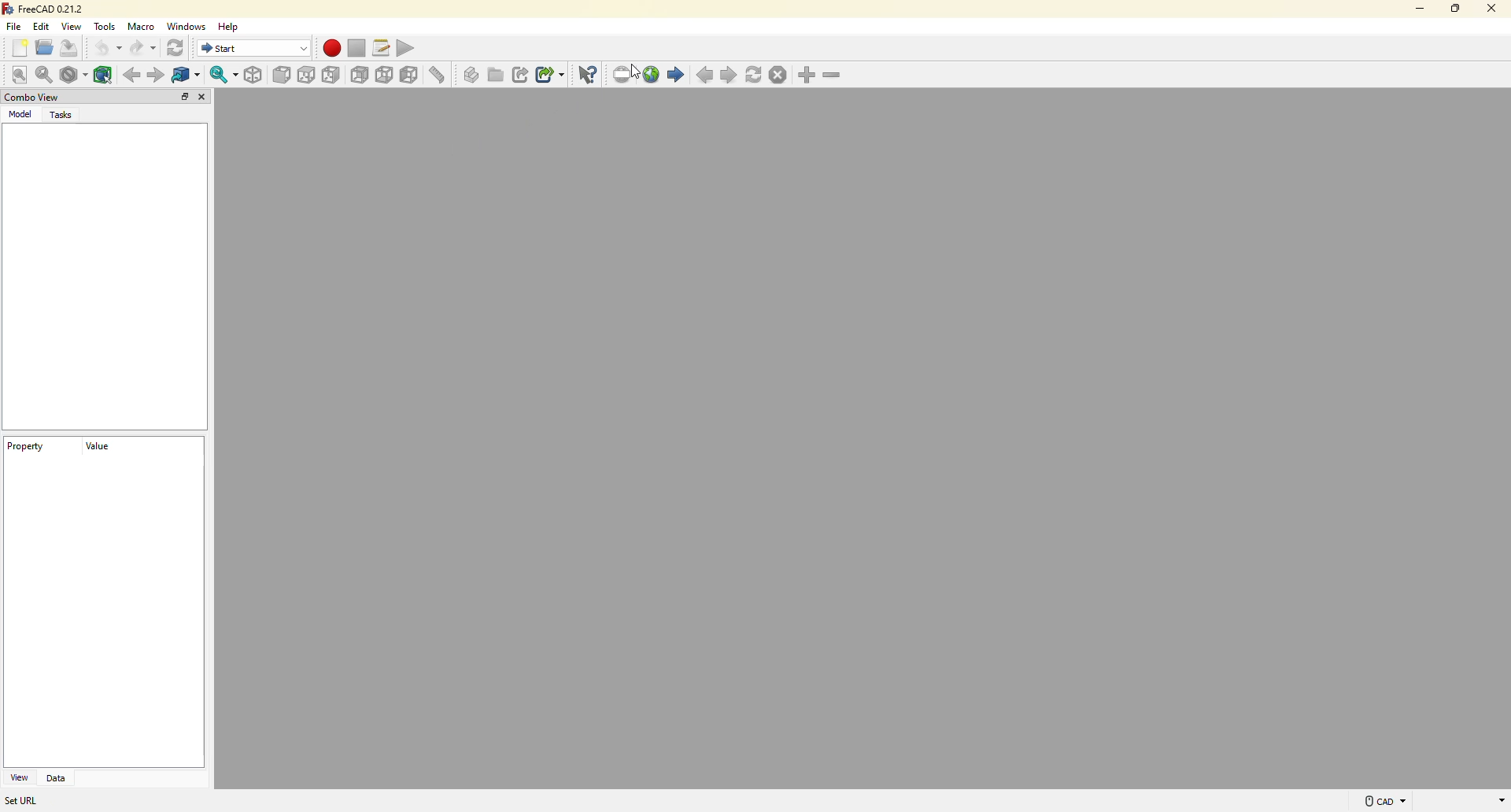  Describe the element at coordinates (144, 28) in the screenshot. I see `macro` at that location.